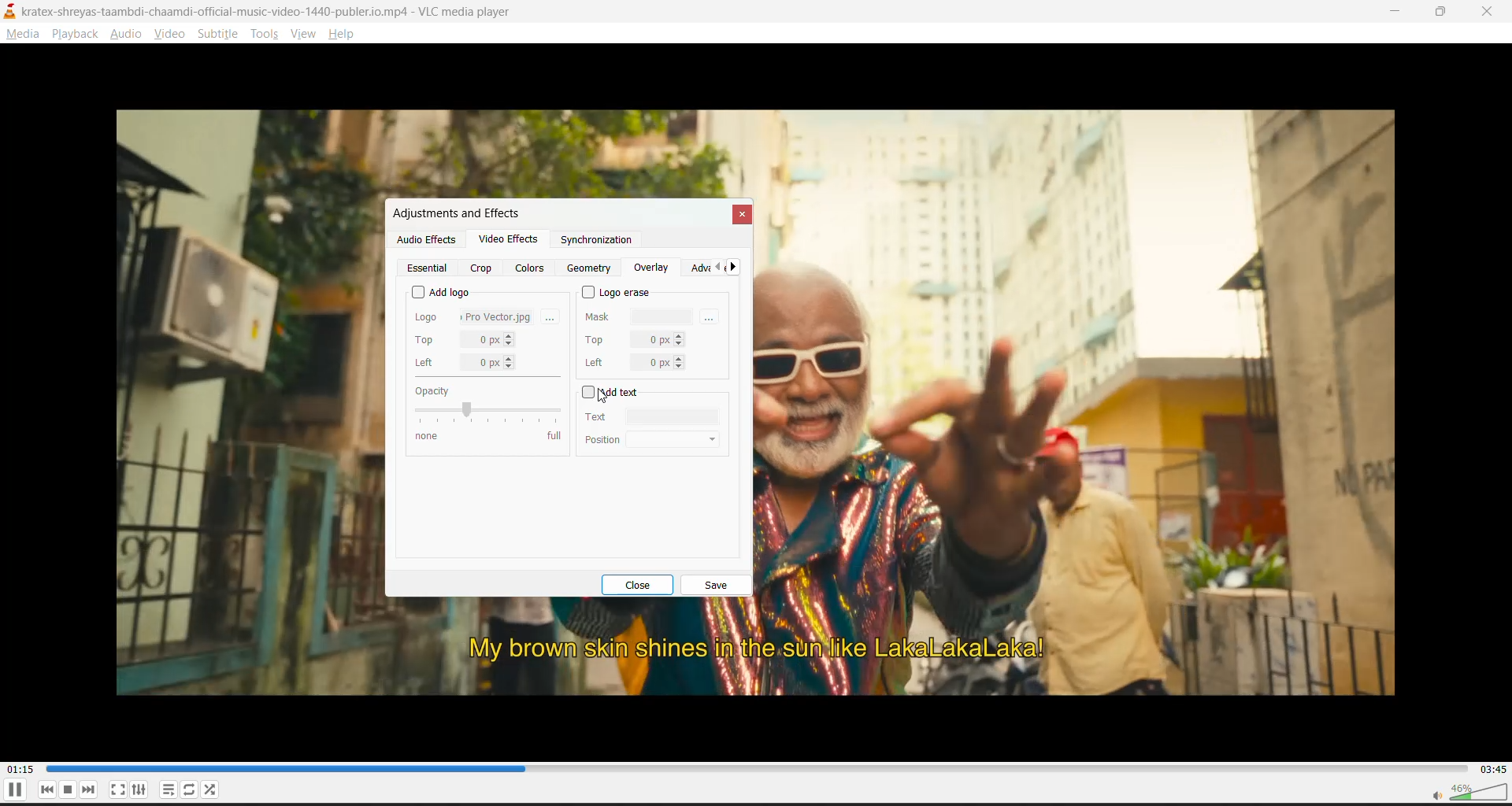 The height and width of the screenshot is (806, 1512). What do you see at coordinates (305, 35) in the screenshot?
I see `view` at bounding box center [305, 35].